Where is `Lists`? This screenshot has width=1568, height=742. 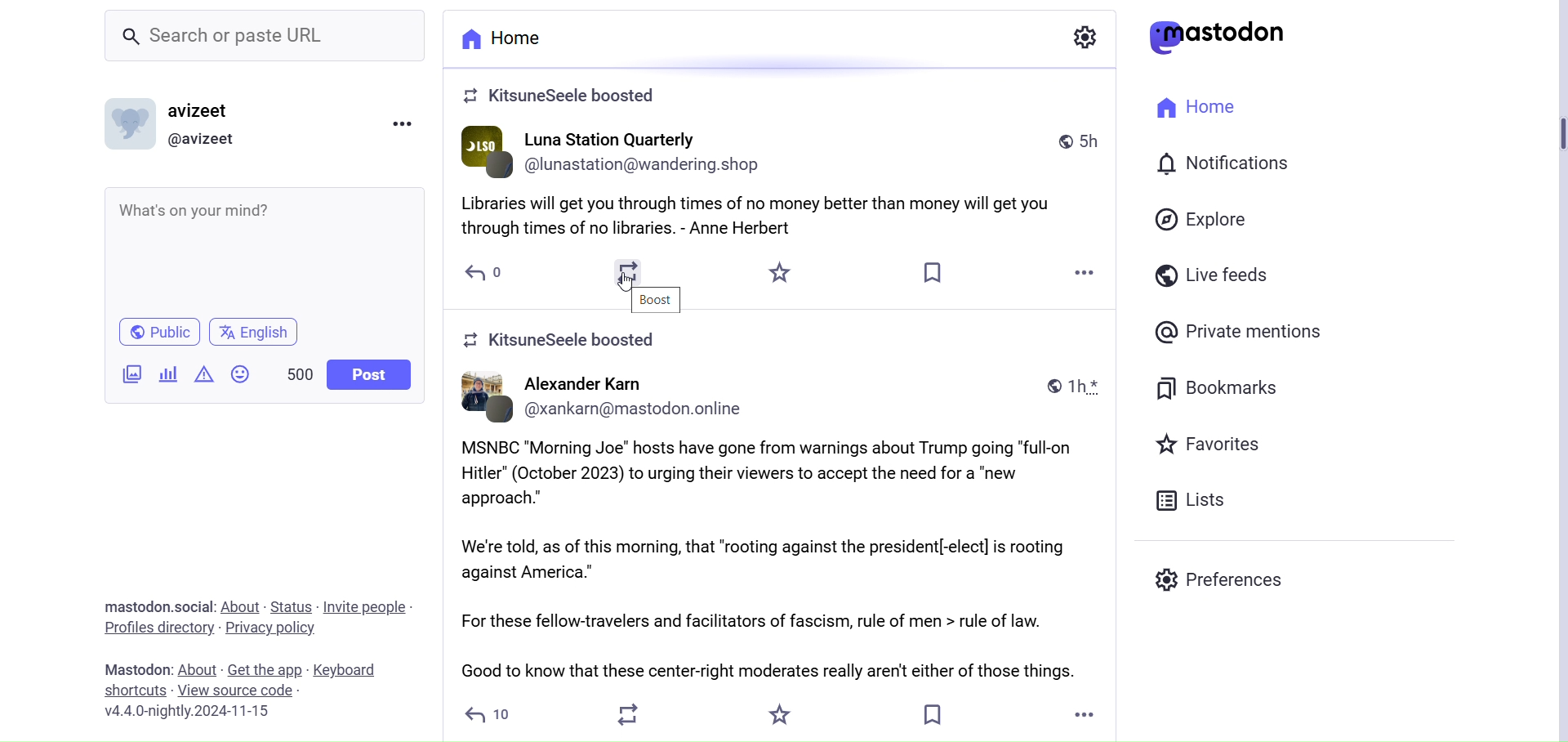
Lists is located at coordinates (1199, 499).